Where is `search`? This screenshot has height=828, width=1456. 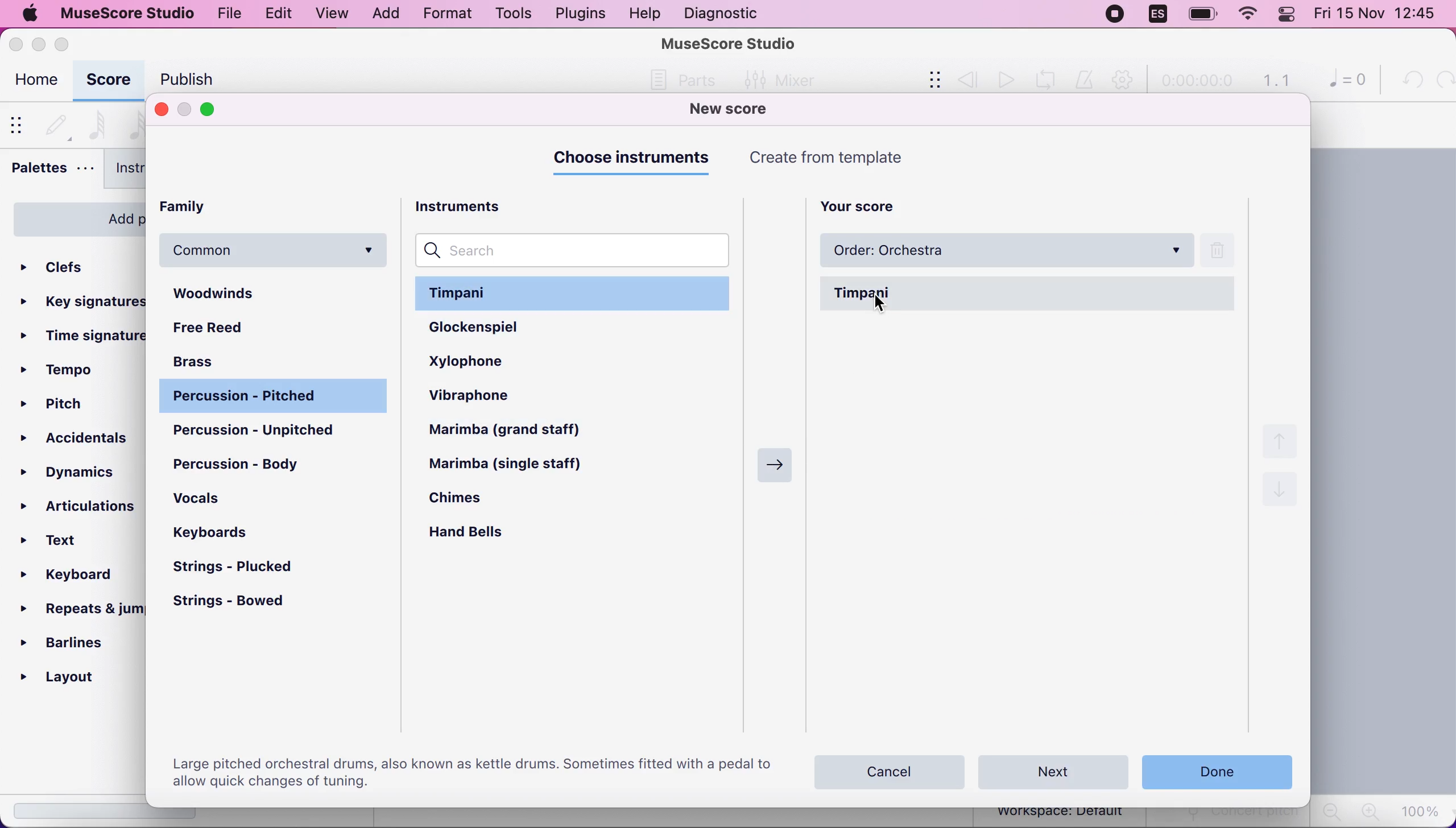 search is located at coordinates (577, 250).